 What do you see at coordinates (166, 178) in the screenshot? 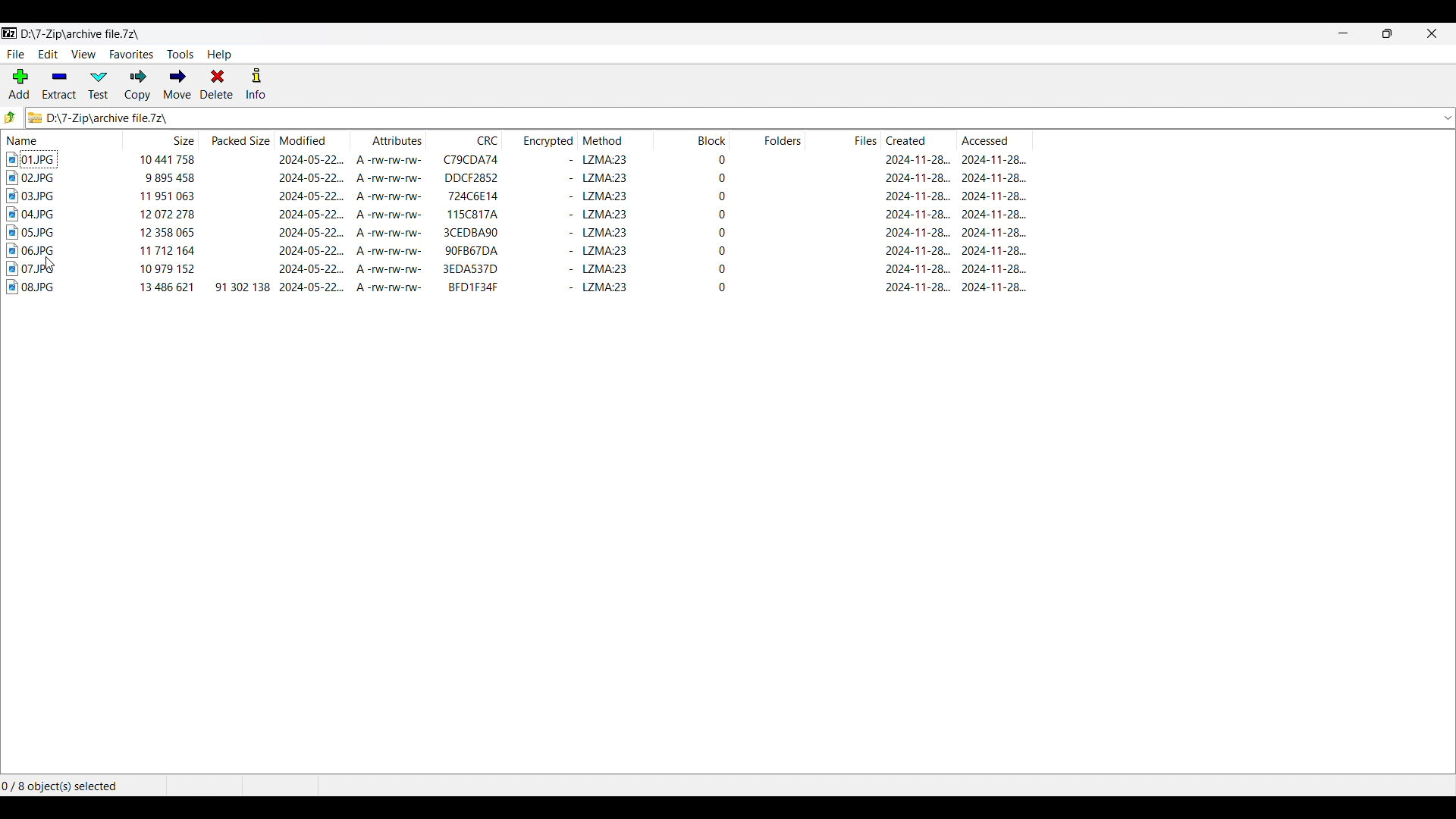
I see `size` at bounding box center [166, 178].